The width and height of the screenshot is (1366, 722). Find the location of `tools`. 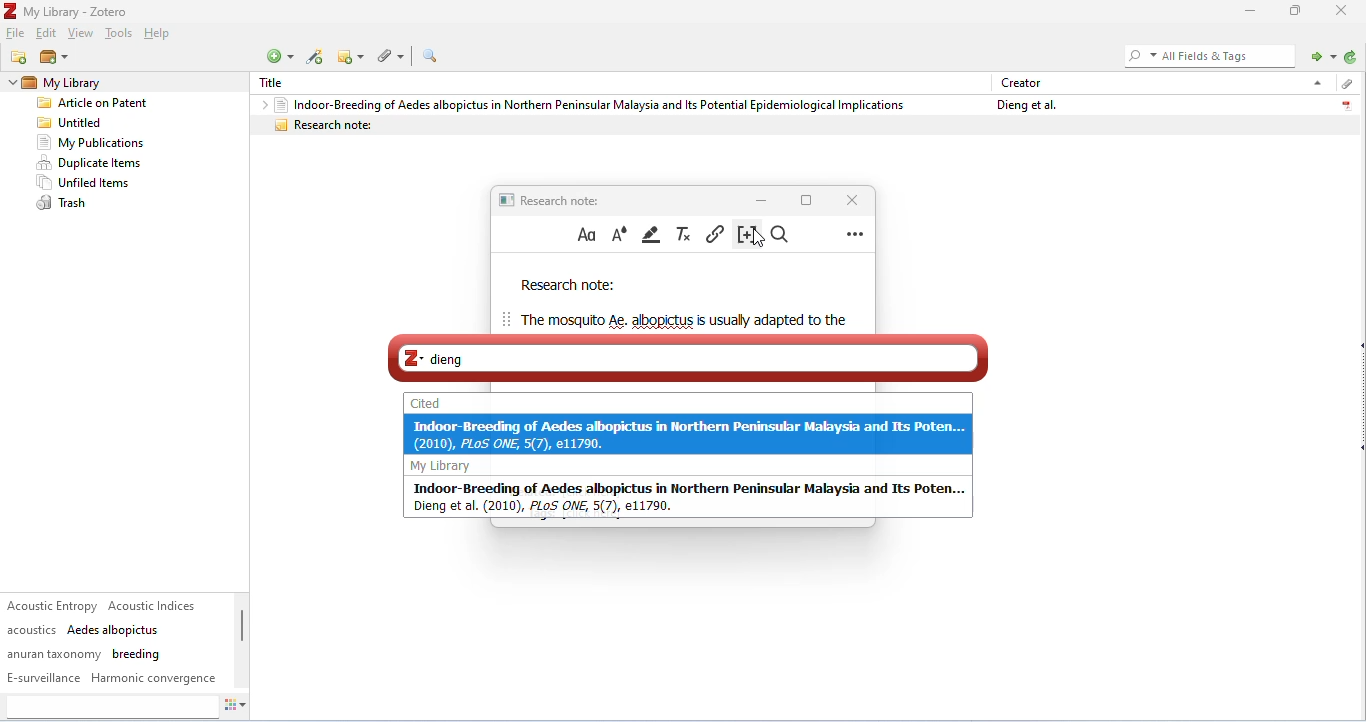

tools is located at coordinates (118, 35).